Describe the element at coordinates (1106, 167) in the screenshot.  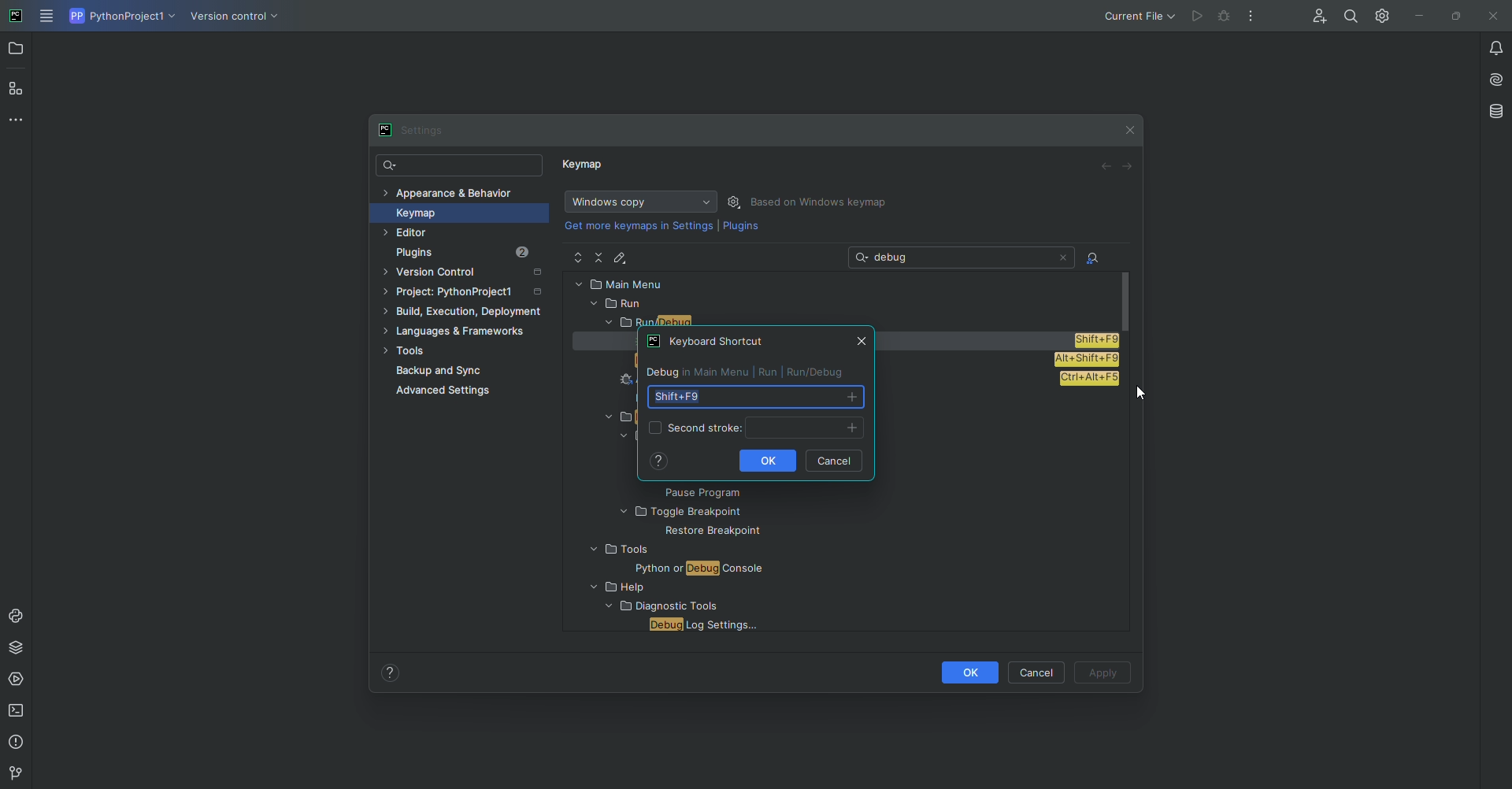
I see `Back` at that location.